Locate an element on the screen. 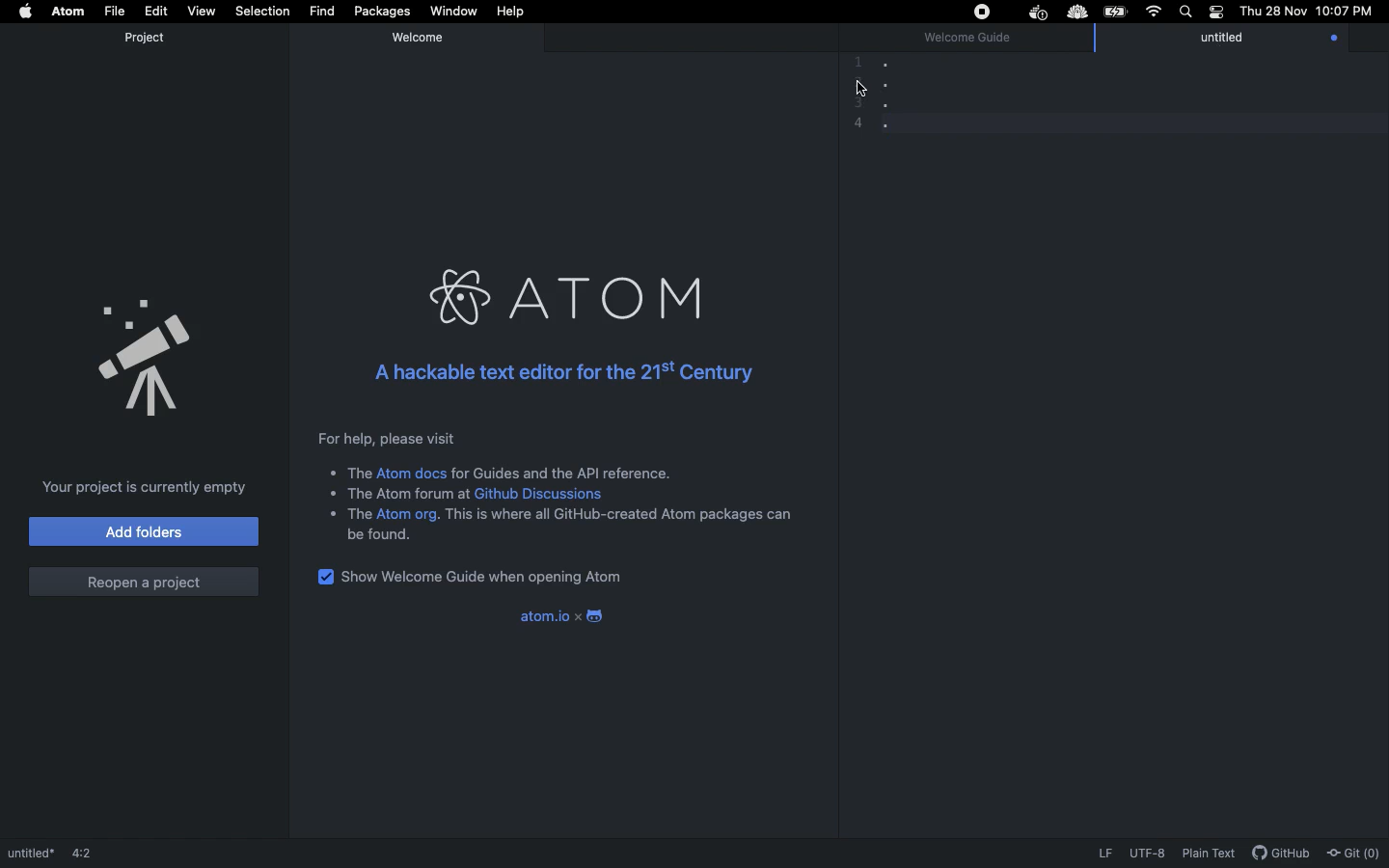  Logo is located at coordinates (593, 613).